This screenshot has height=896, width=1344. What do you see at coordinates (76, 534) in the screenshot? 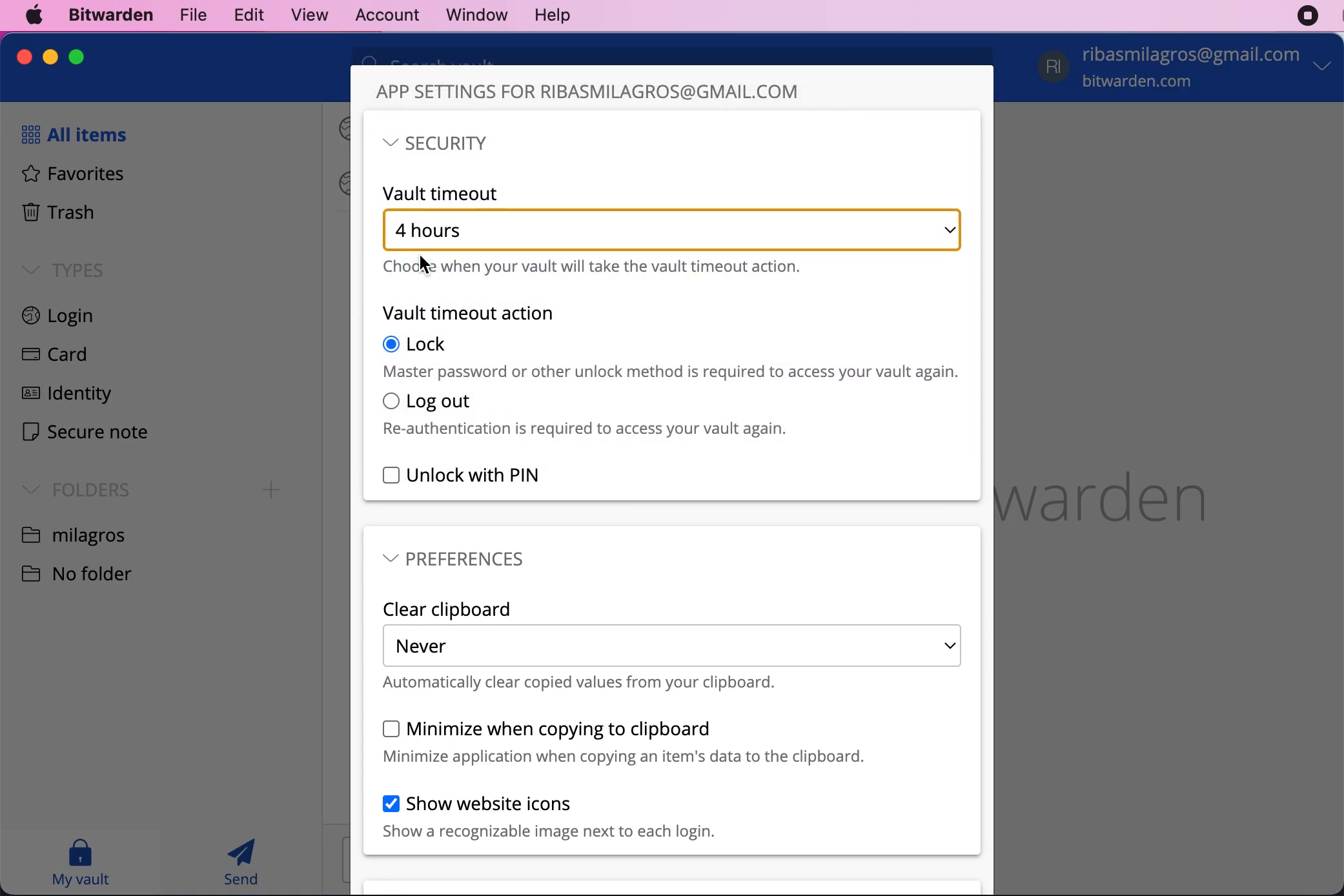
I see `folder name` at bounding box center [76, 534].